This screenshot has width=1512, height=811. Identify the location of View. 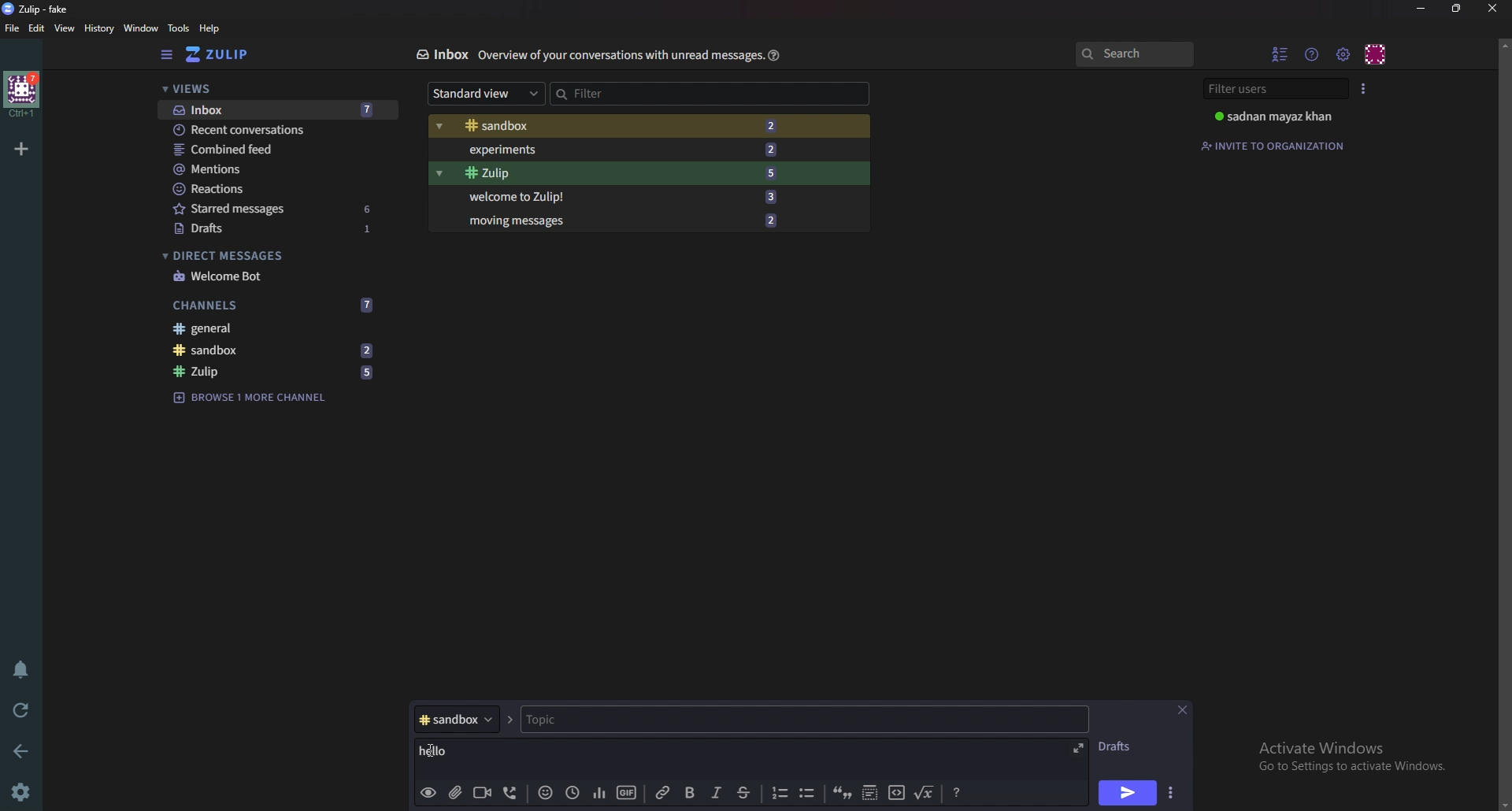
(65, 30).